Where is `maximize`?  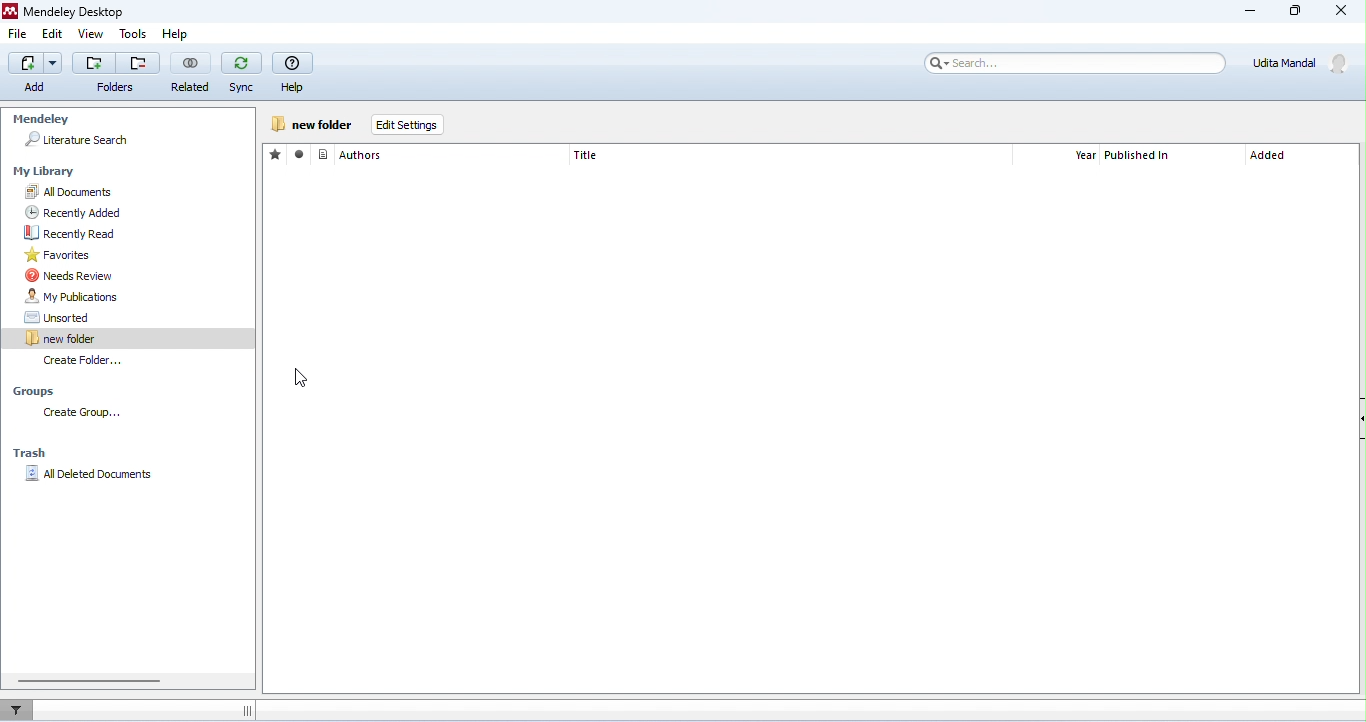 maximize is located at coordinates (1293, 11).